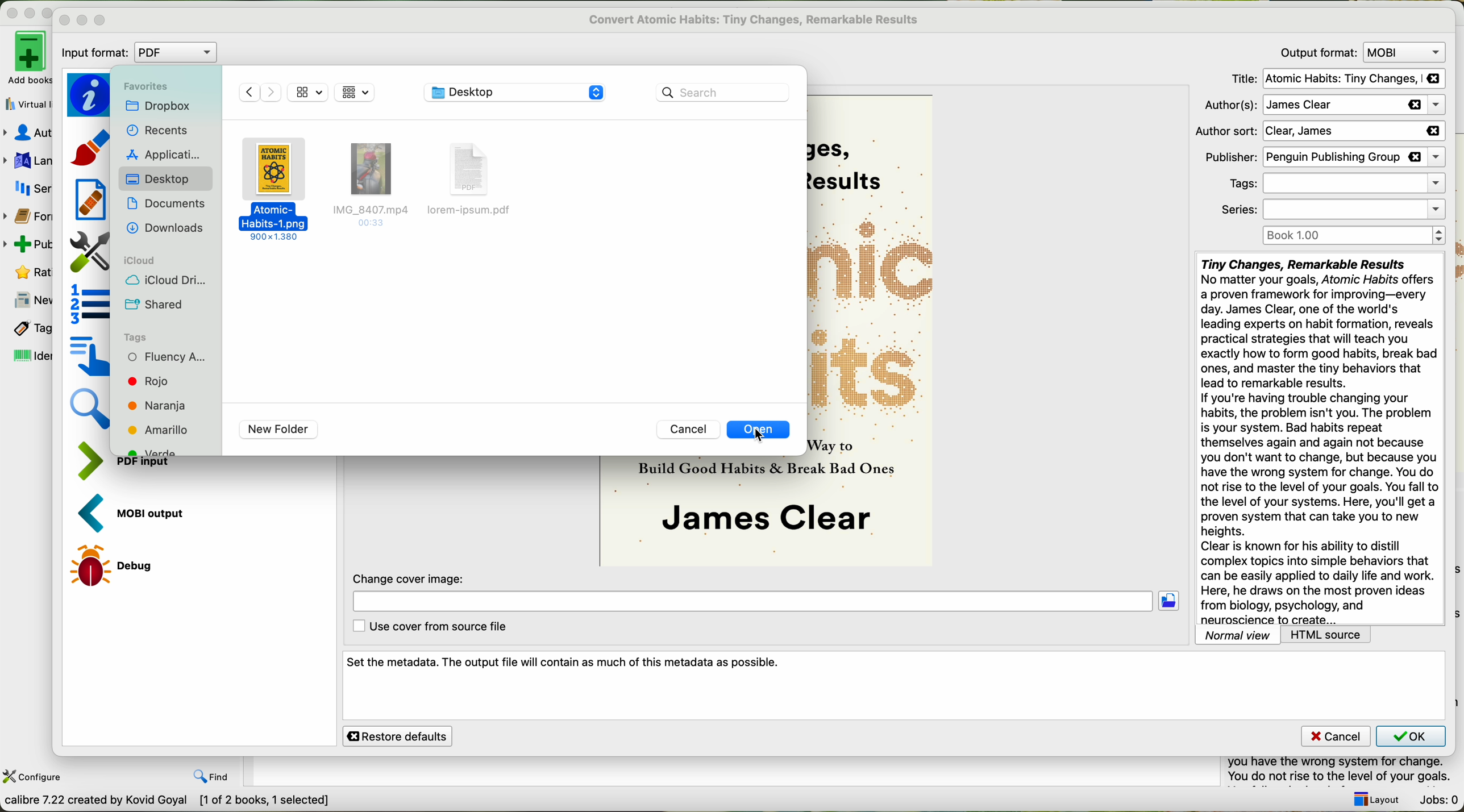 This screenshot has width=1464, height=812. Describe the element at coordinates (477, 178) in the screenshot. I see `disable file` at that location.